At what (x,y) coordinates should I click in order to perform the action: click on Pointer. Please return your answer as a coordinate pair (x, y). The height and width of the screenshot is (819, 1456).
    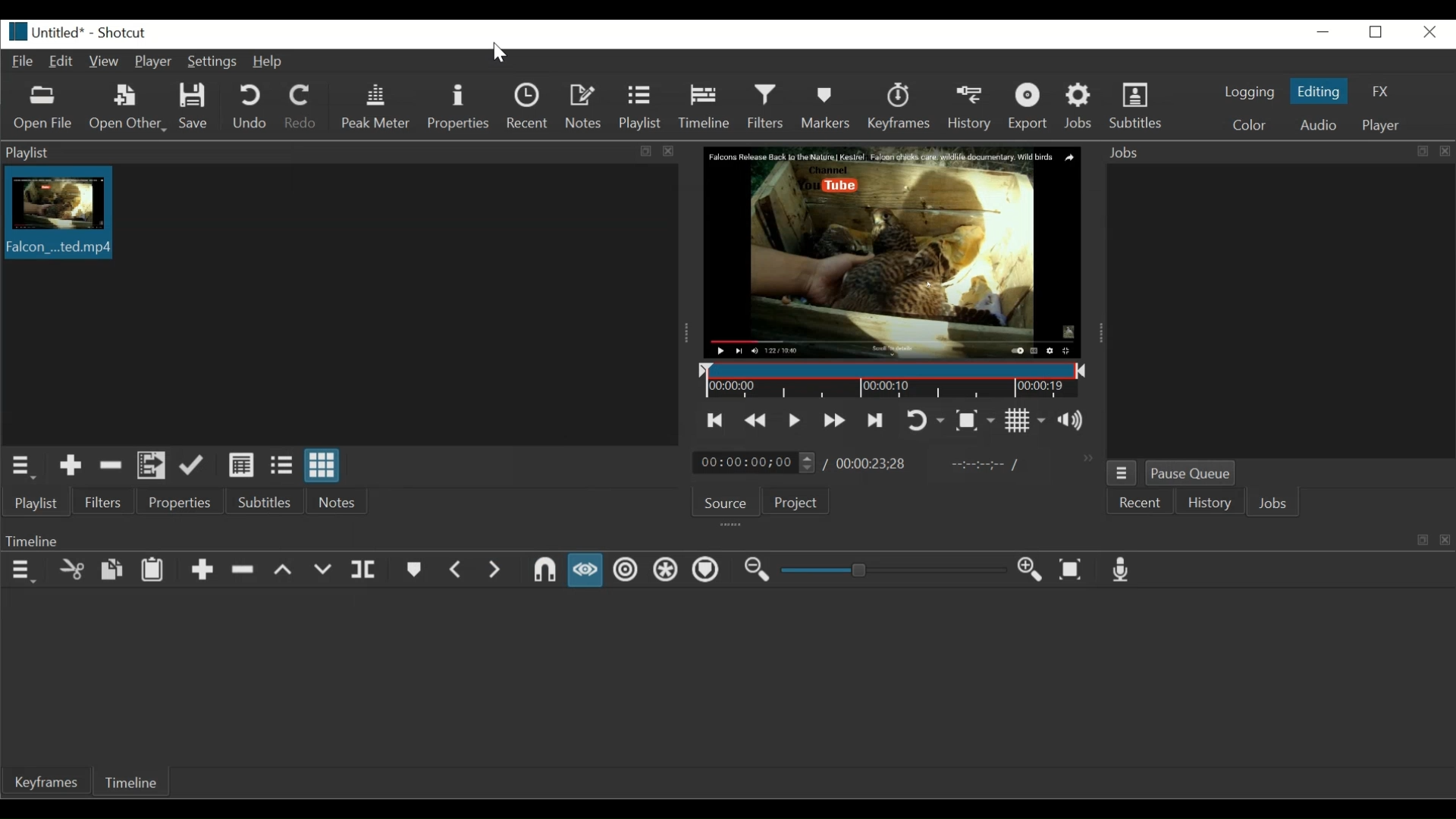
    Looking at the image, I should click on (499, 53).